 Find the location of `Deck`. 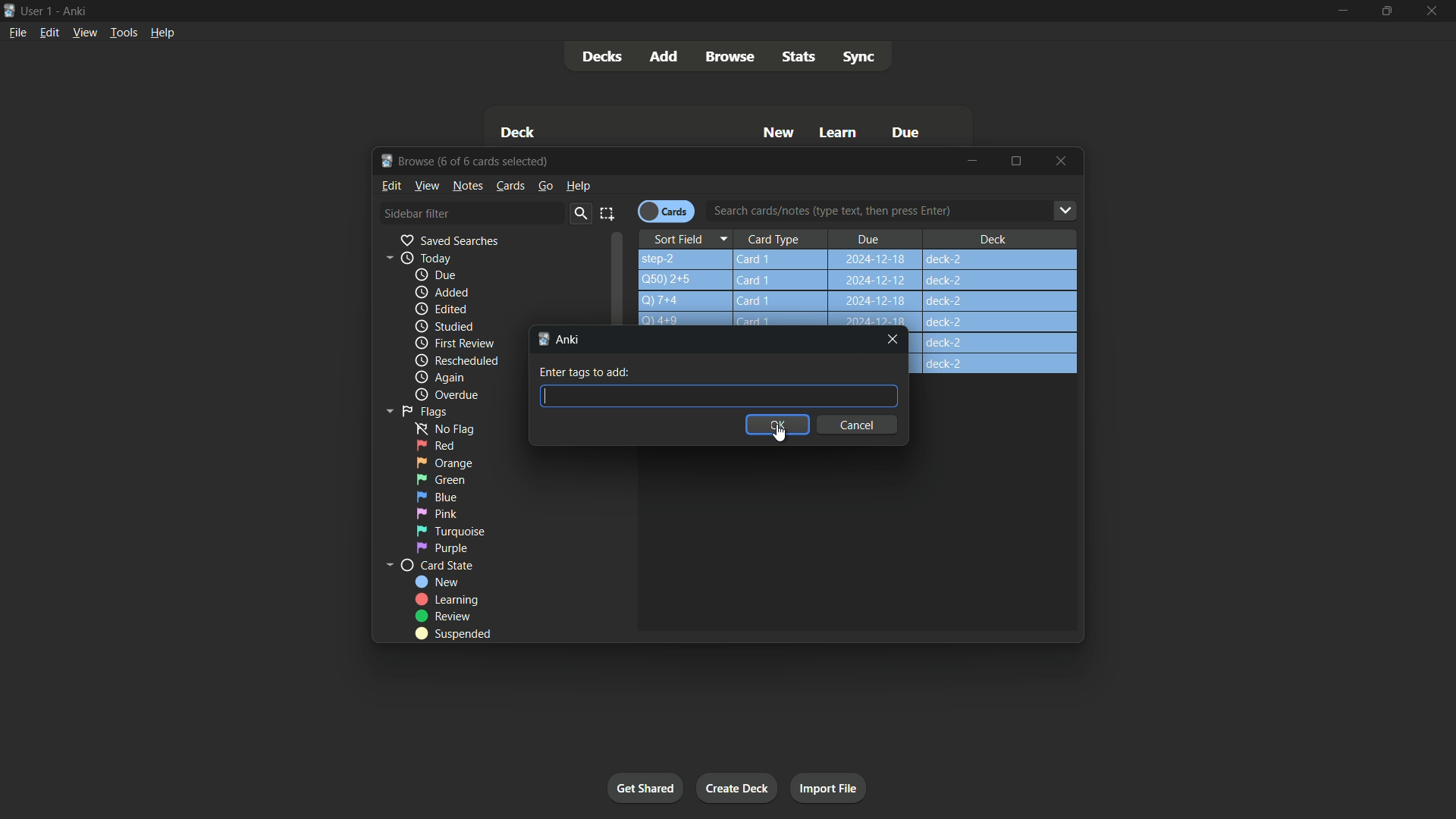

Deck is located at coordinates (992, 238).